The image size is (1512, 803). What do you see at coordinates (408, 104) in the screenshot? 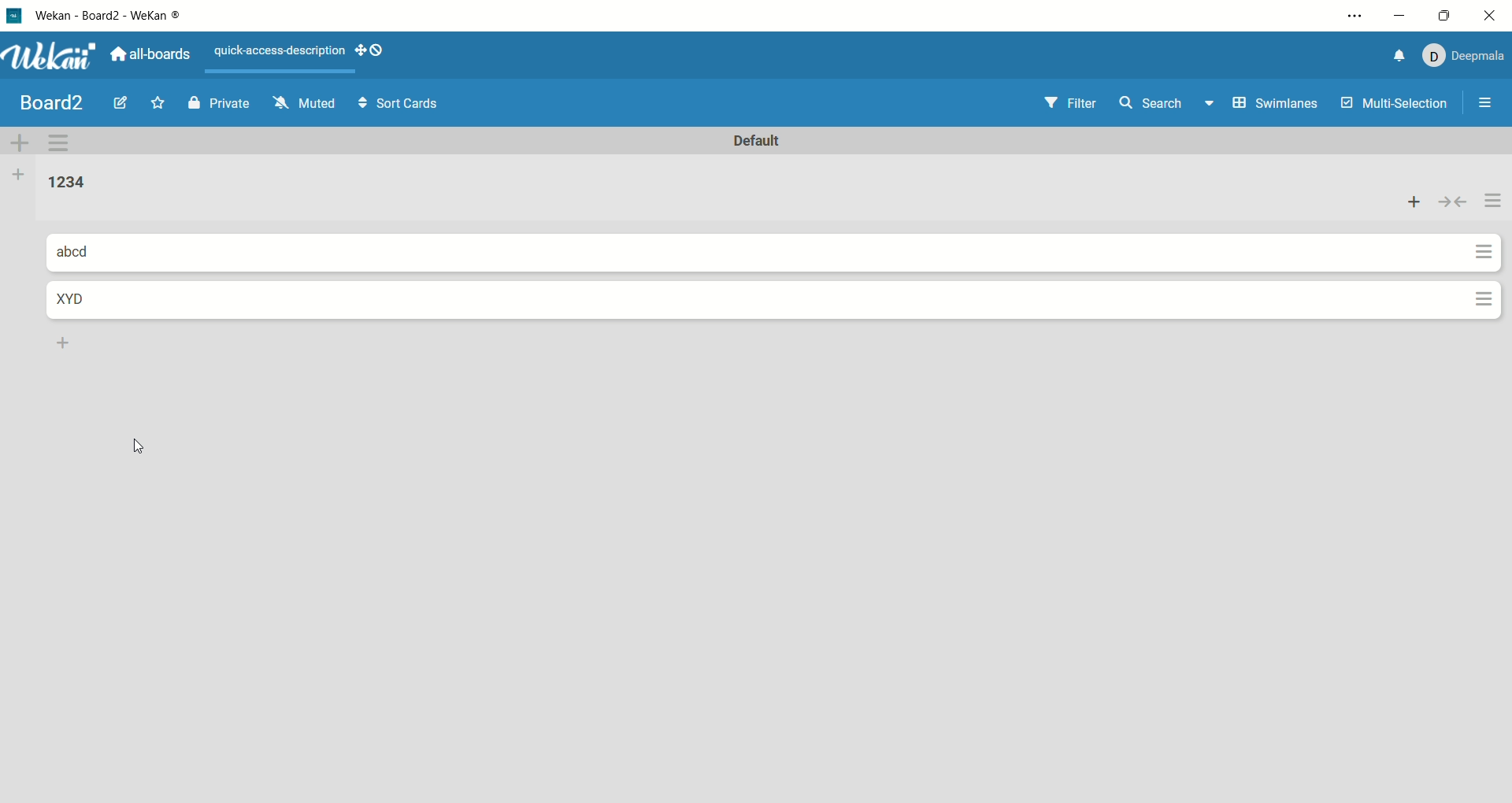
I see `sort cards` at bounding box center [408, 104].